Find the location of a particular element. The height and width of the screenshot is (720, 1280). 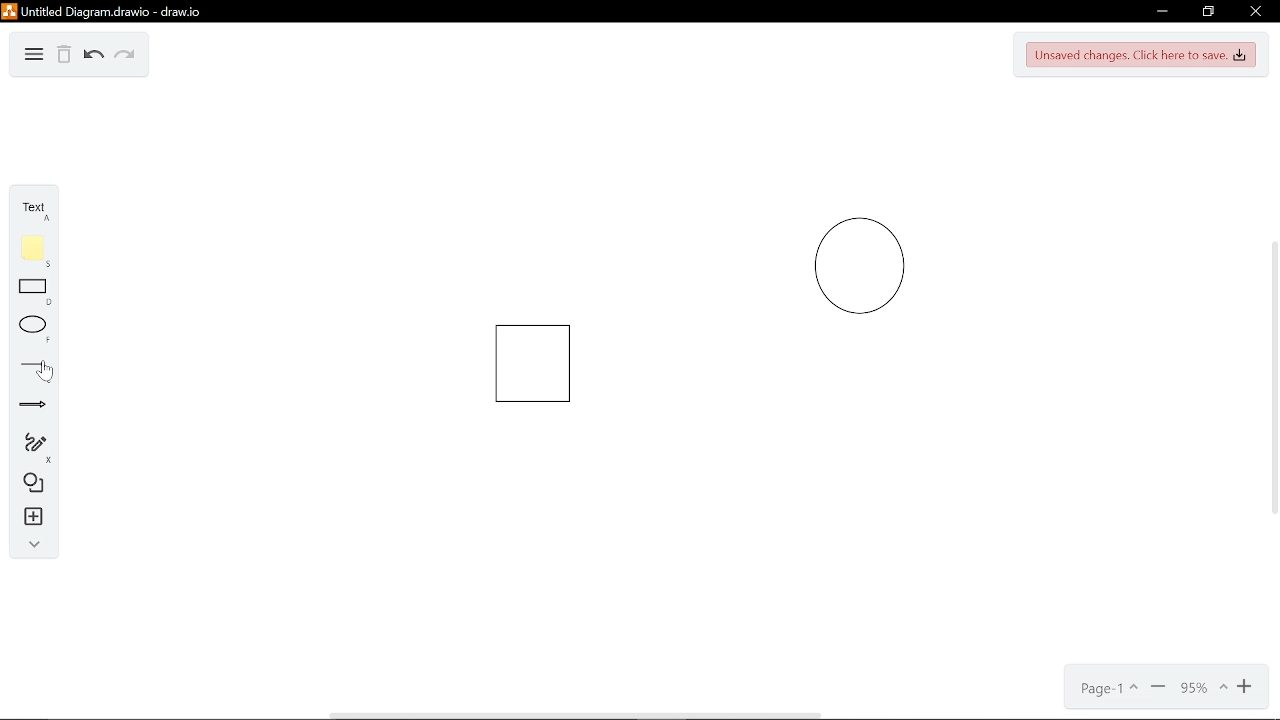

Text is located at coordinates (26, 206).